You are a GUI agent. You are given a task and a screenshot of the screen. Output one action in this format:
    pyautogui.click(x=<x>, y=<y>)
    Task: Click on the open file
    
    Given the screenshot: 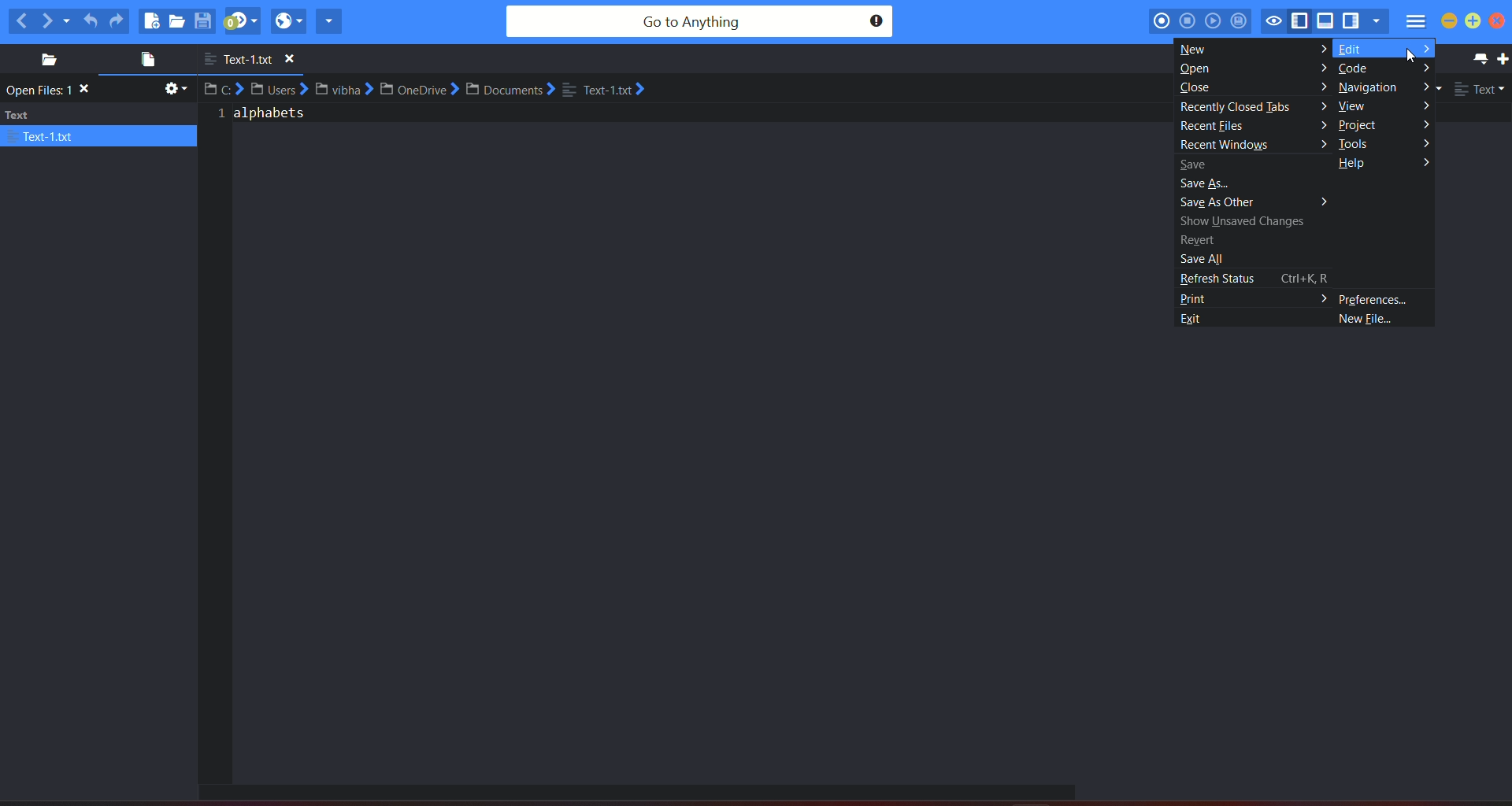 What is the action you would take?
    pyautogui.click(x=179, y=22)
    